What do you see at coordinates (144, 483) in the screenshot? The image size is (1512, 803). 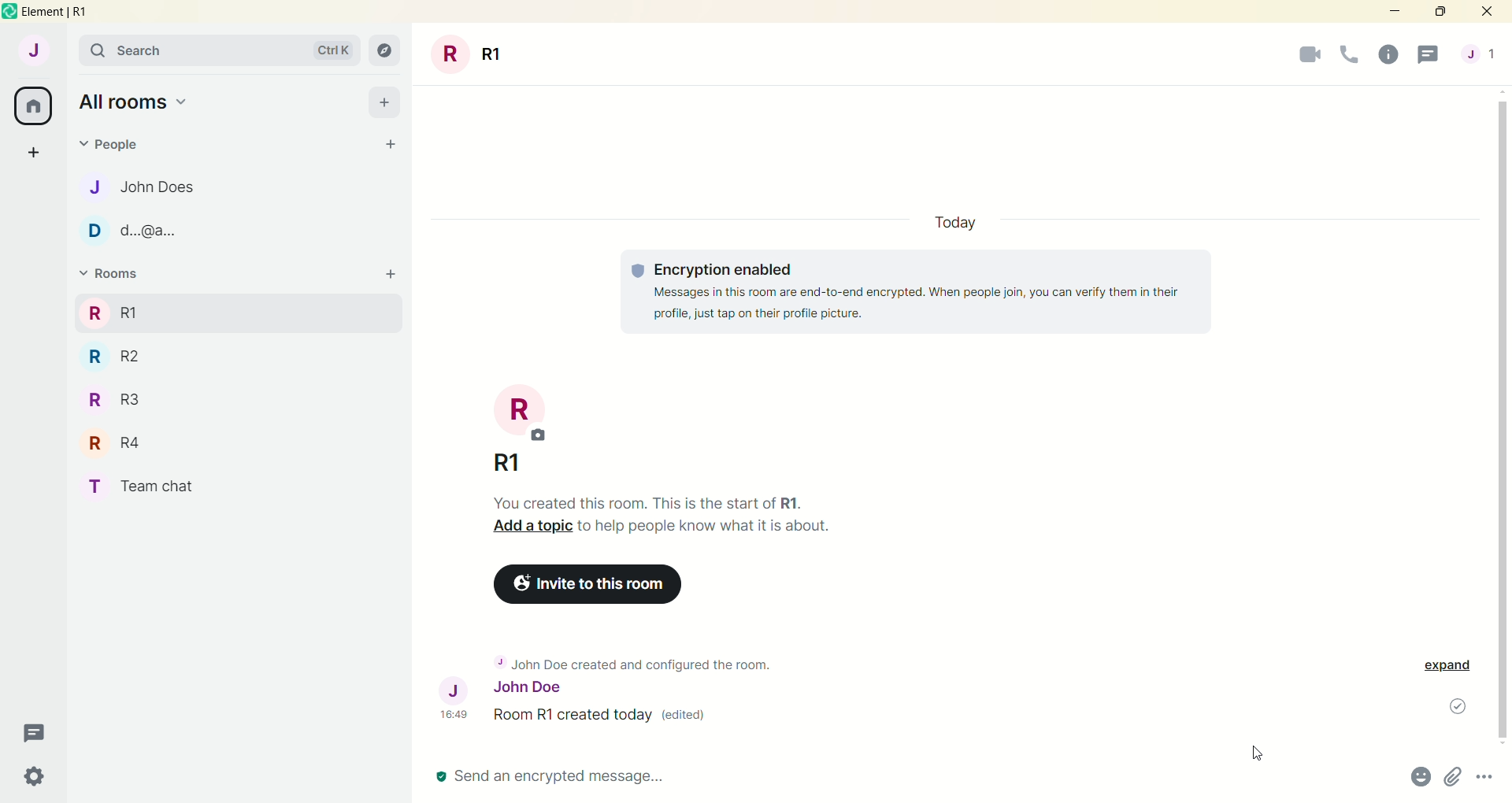 I see `T Team chat` at bounding box center [144, 483].